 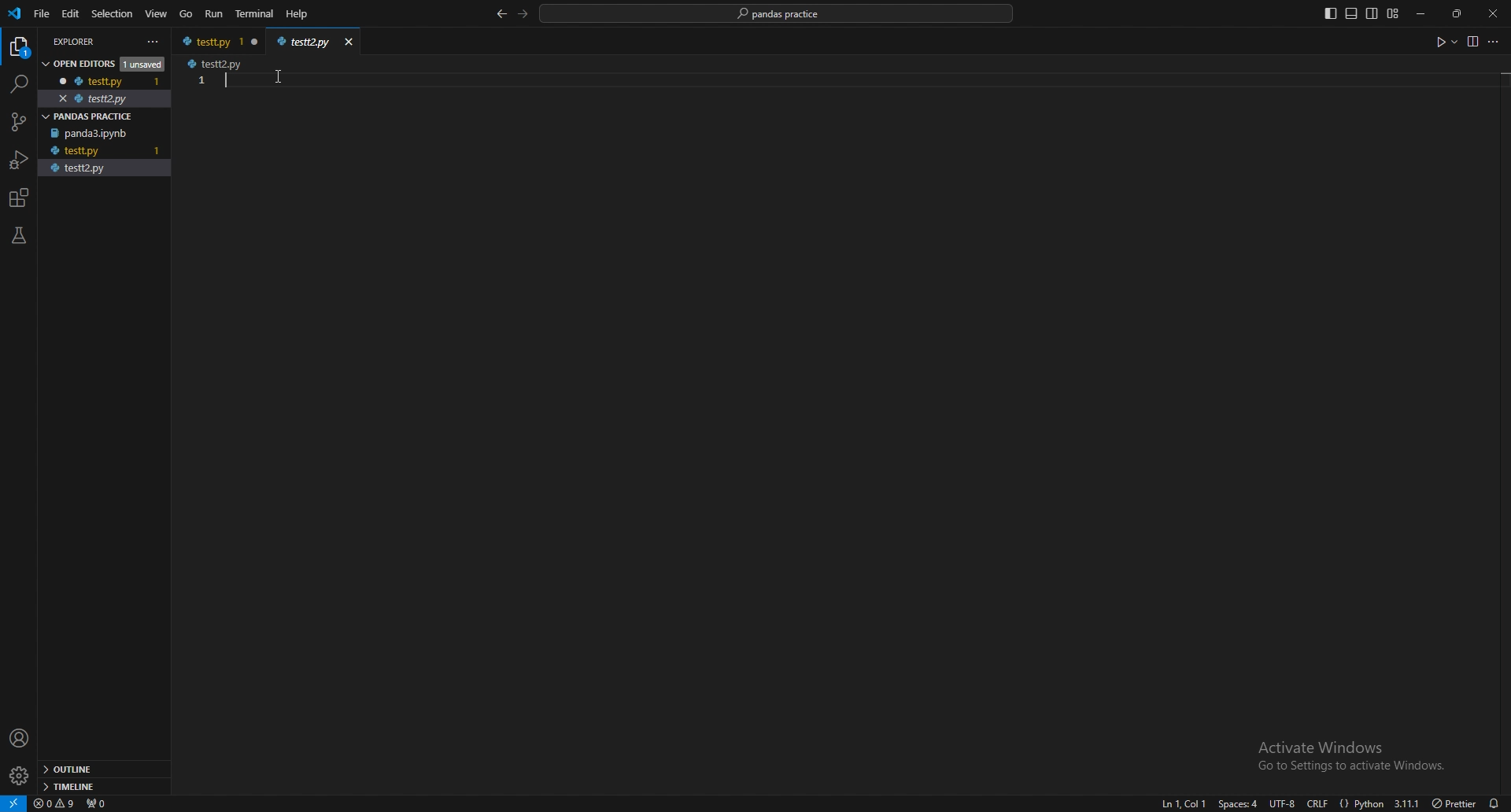 I want to click on settings, so click(x=218, y=63).